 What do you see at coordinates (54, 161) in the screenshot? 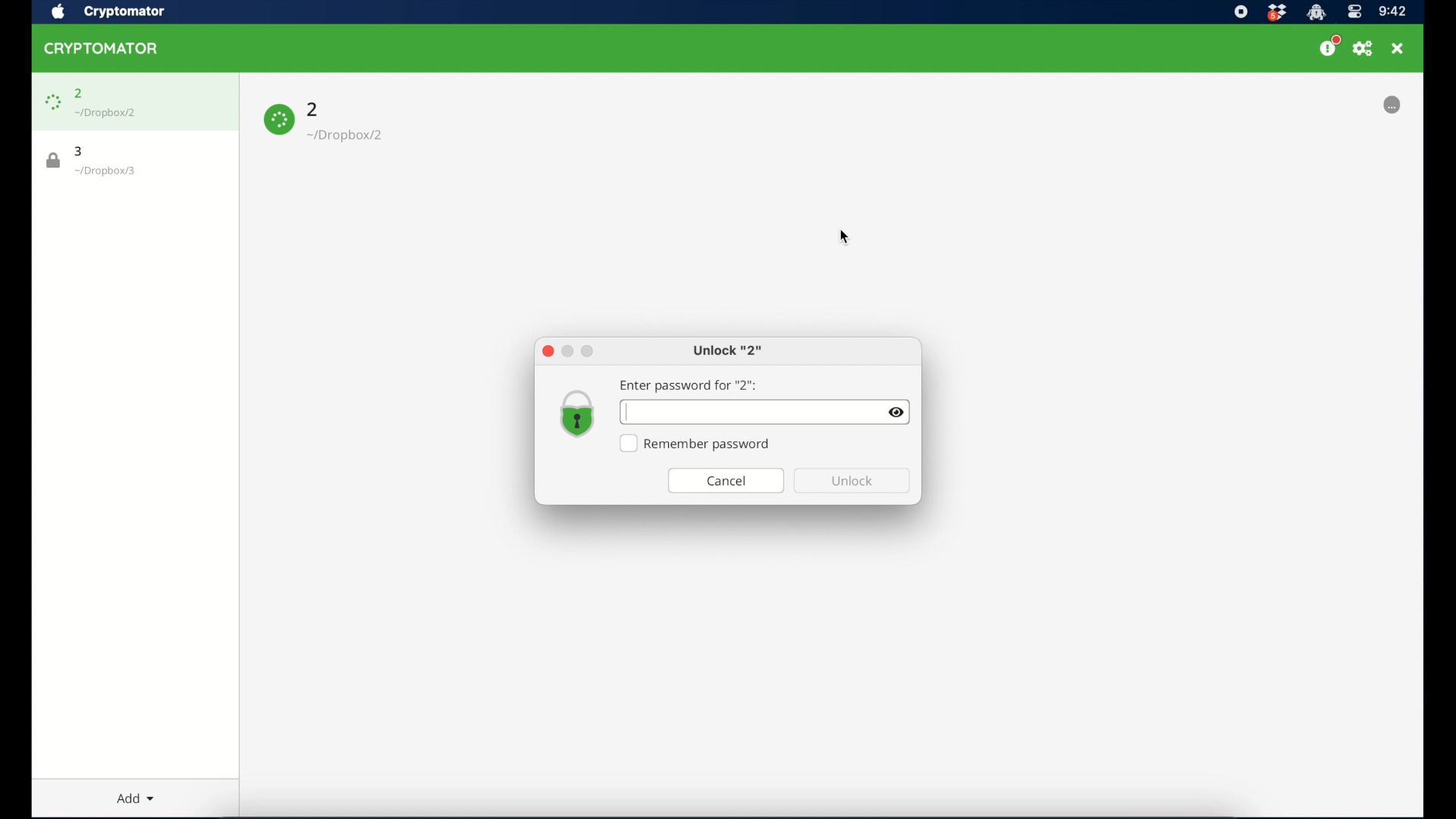
I see `lock icon` at bounding box center [54, 161].